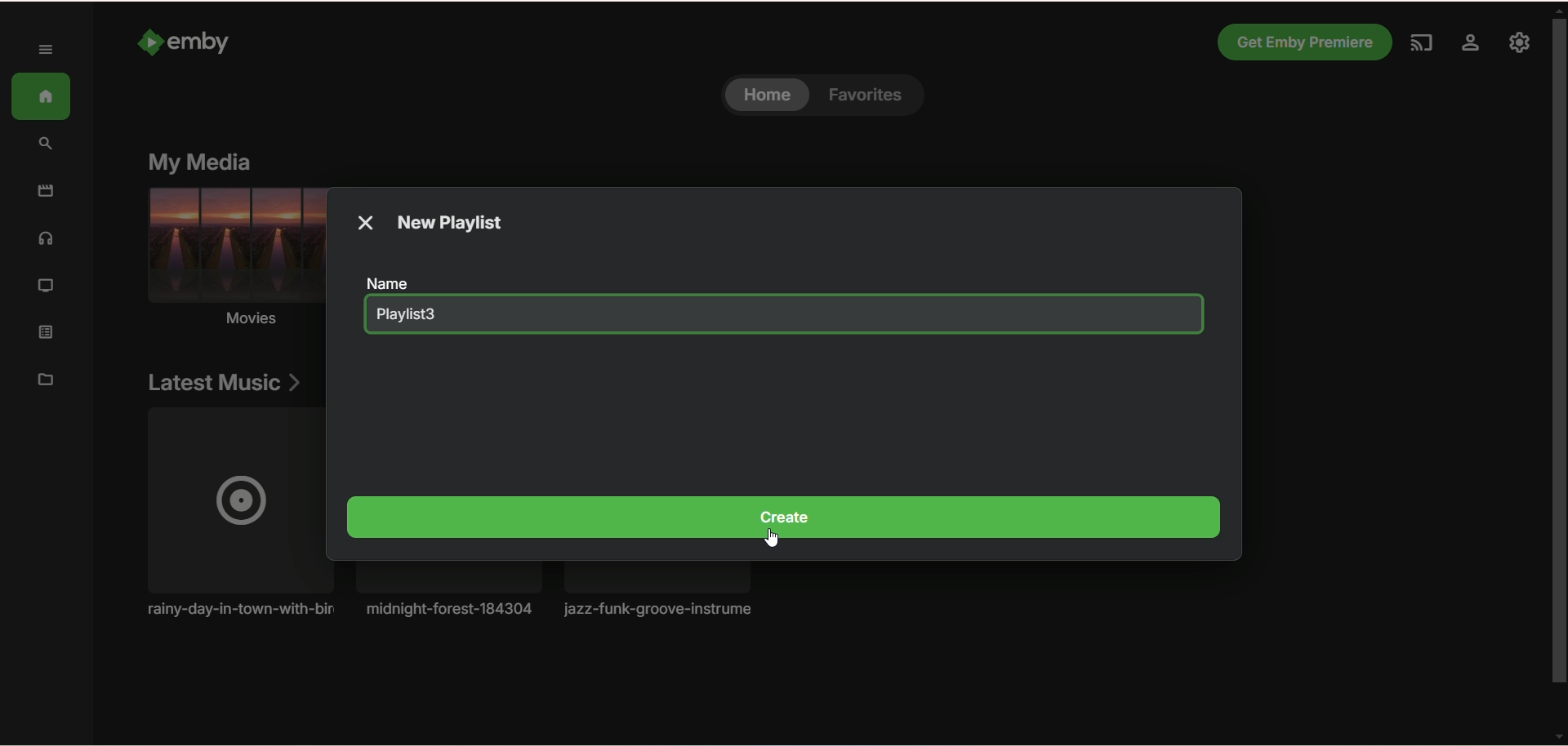  I want to click on playlist3, so click(409, 313).